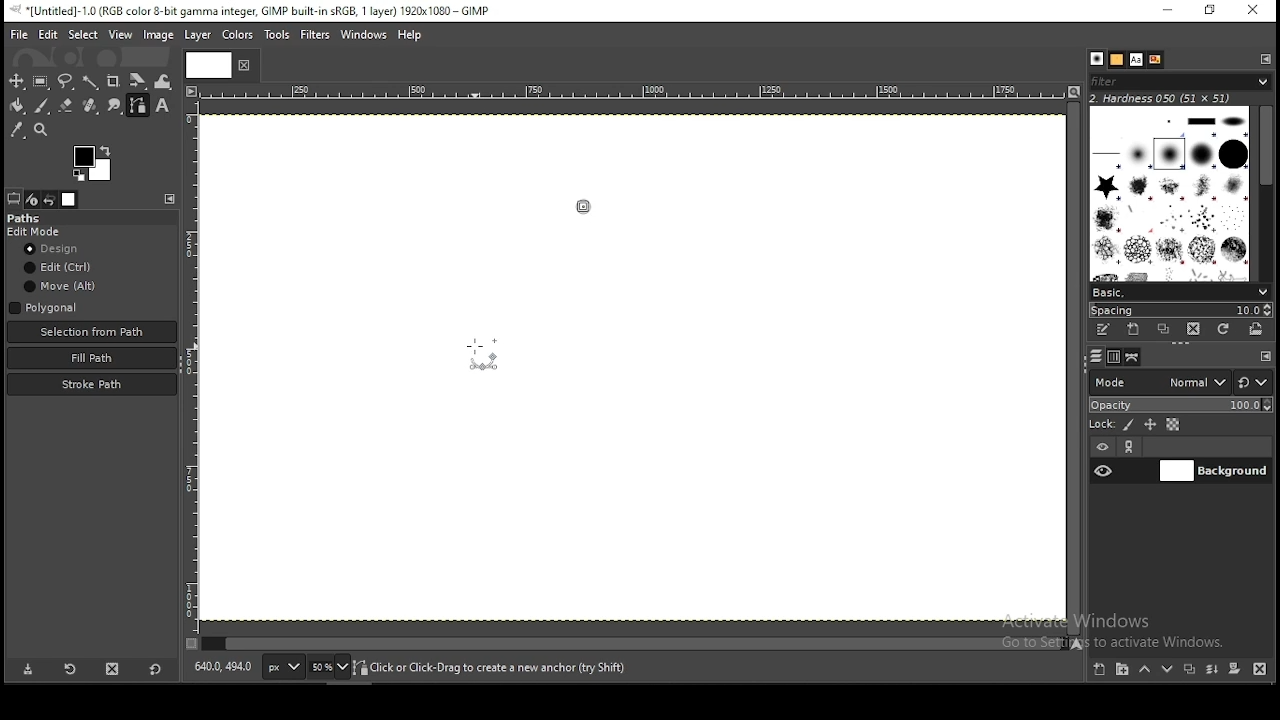  I want to click on switch to other modes, so click(1255, 382).